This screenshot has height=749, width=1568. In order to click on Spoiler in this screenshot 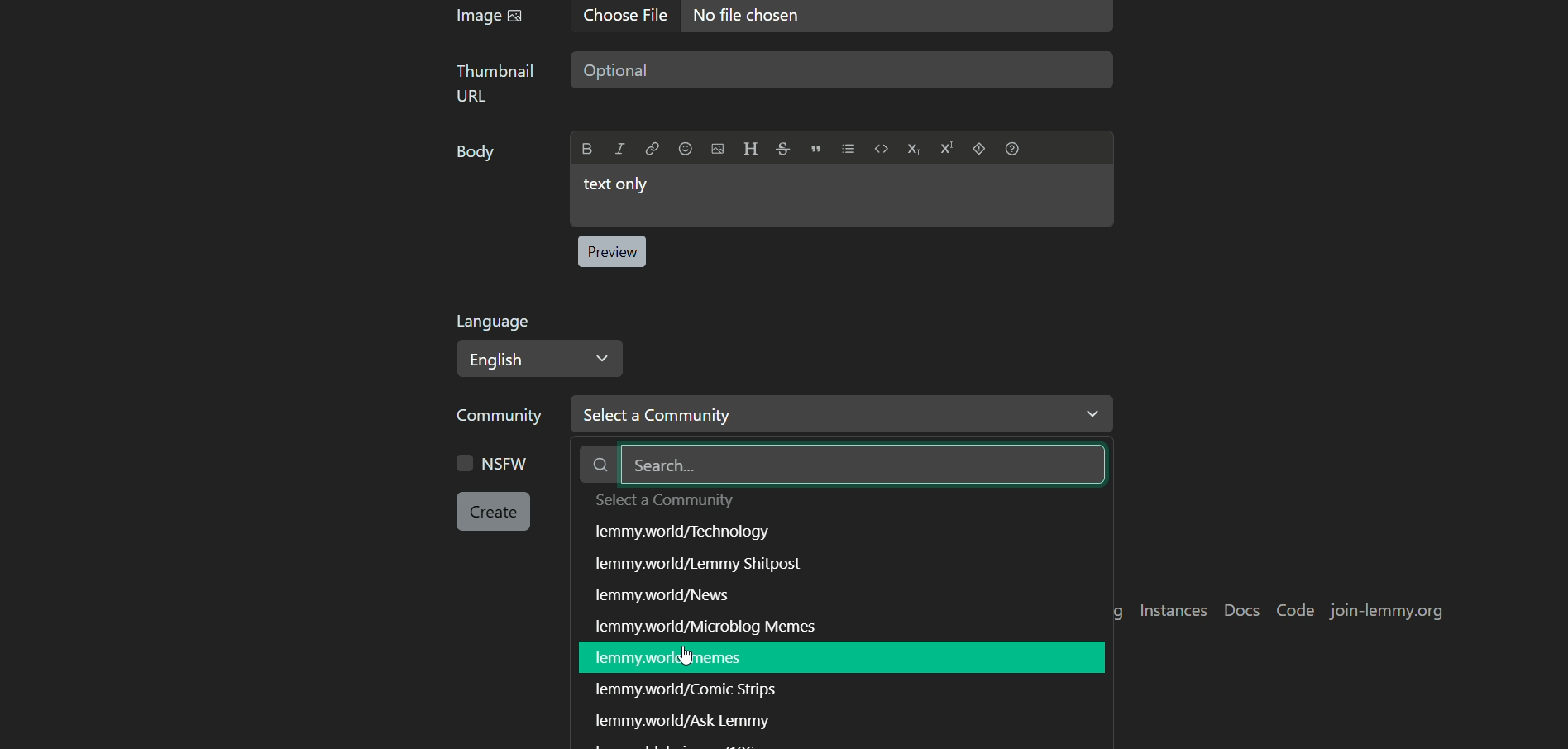, I will do `click(979, 148)`.